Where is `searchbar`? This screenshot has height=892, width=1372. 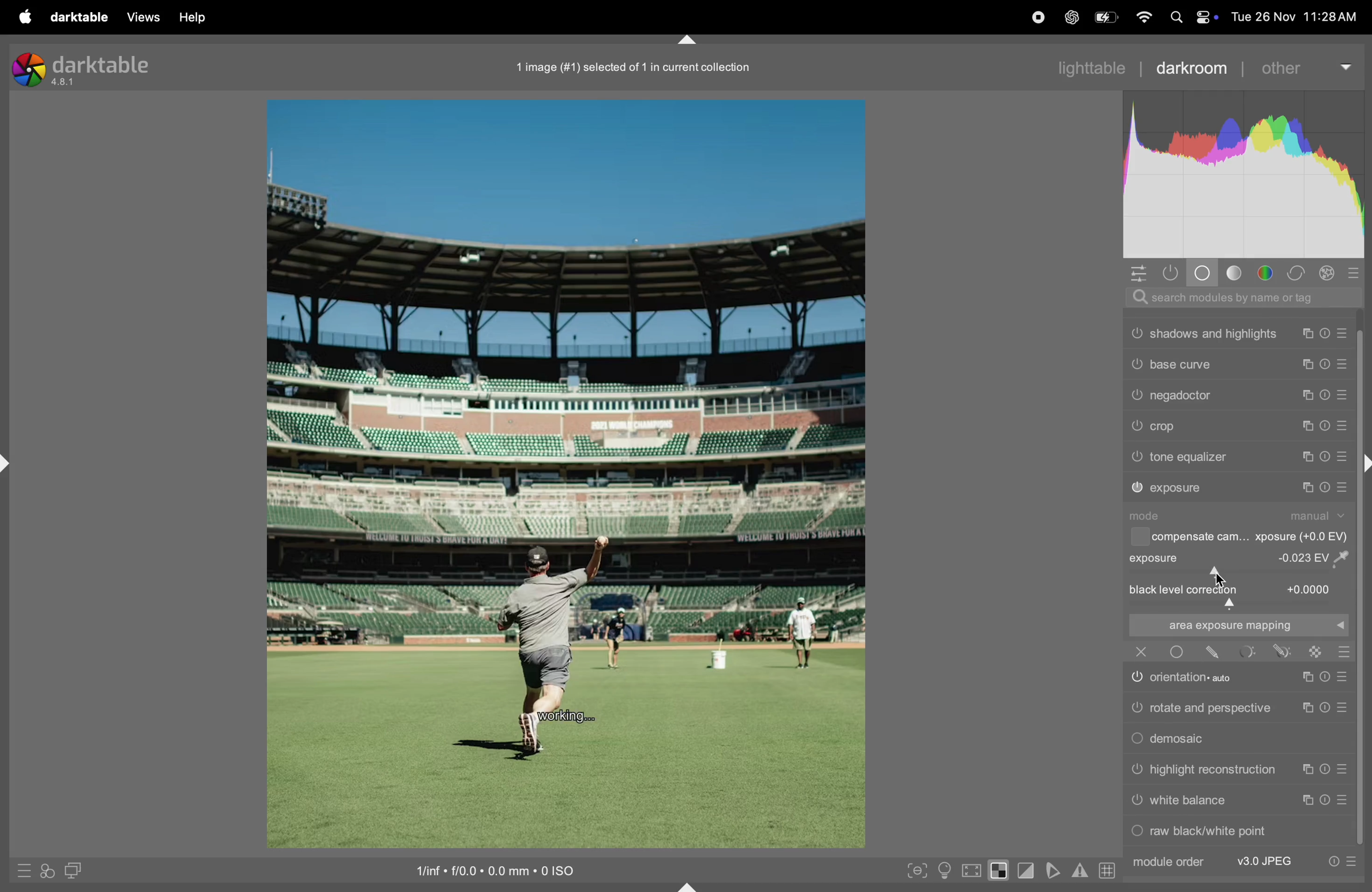
searchbar is located at coordinates (1238, 297).